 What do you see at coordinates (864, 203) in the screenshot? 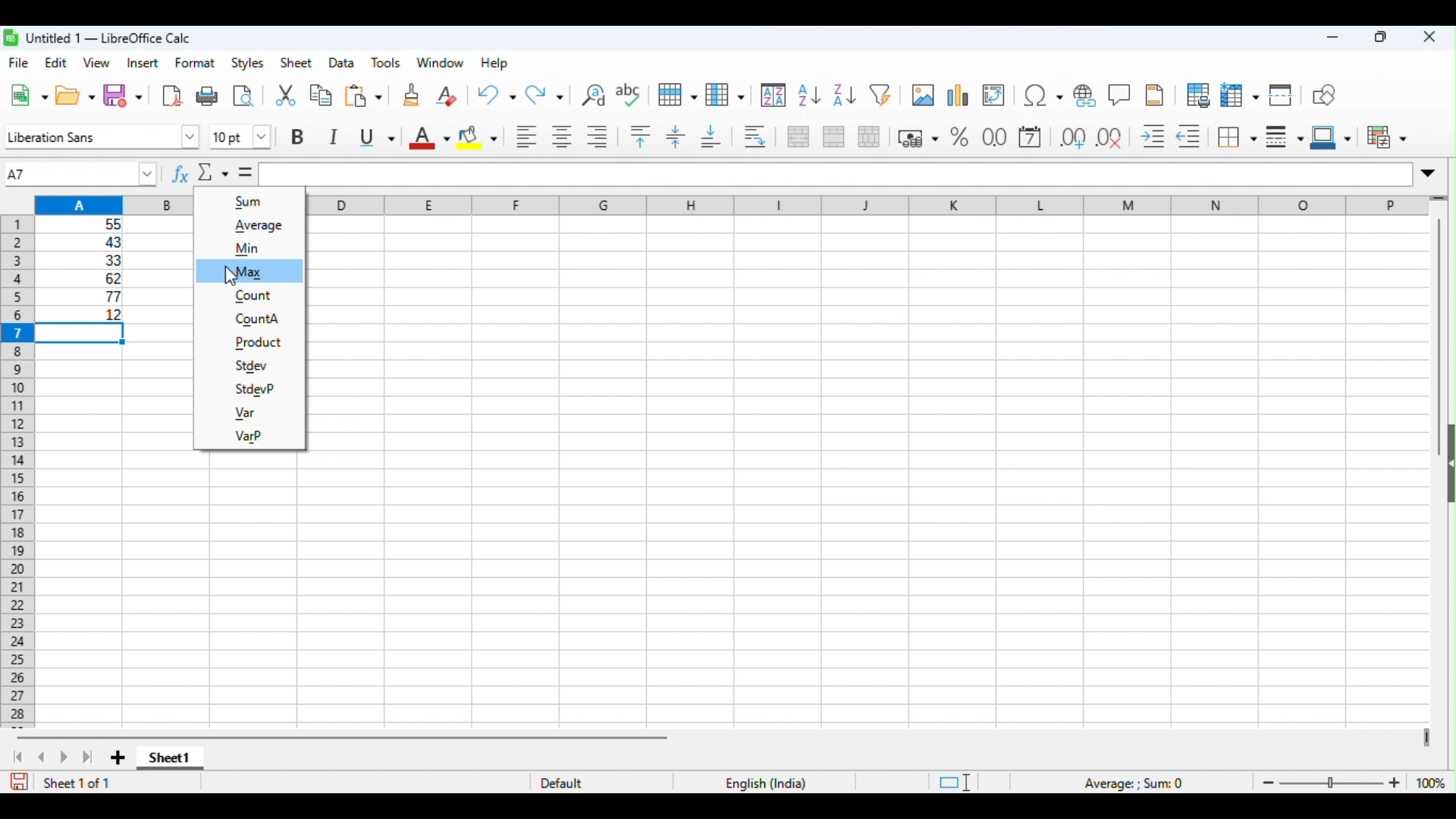
I see `column headings` at bounding box center [864, 203].